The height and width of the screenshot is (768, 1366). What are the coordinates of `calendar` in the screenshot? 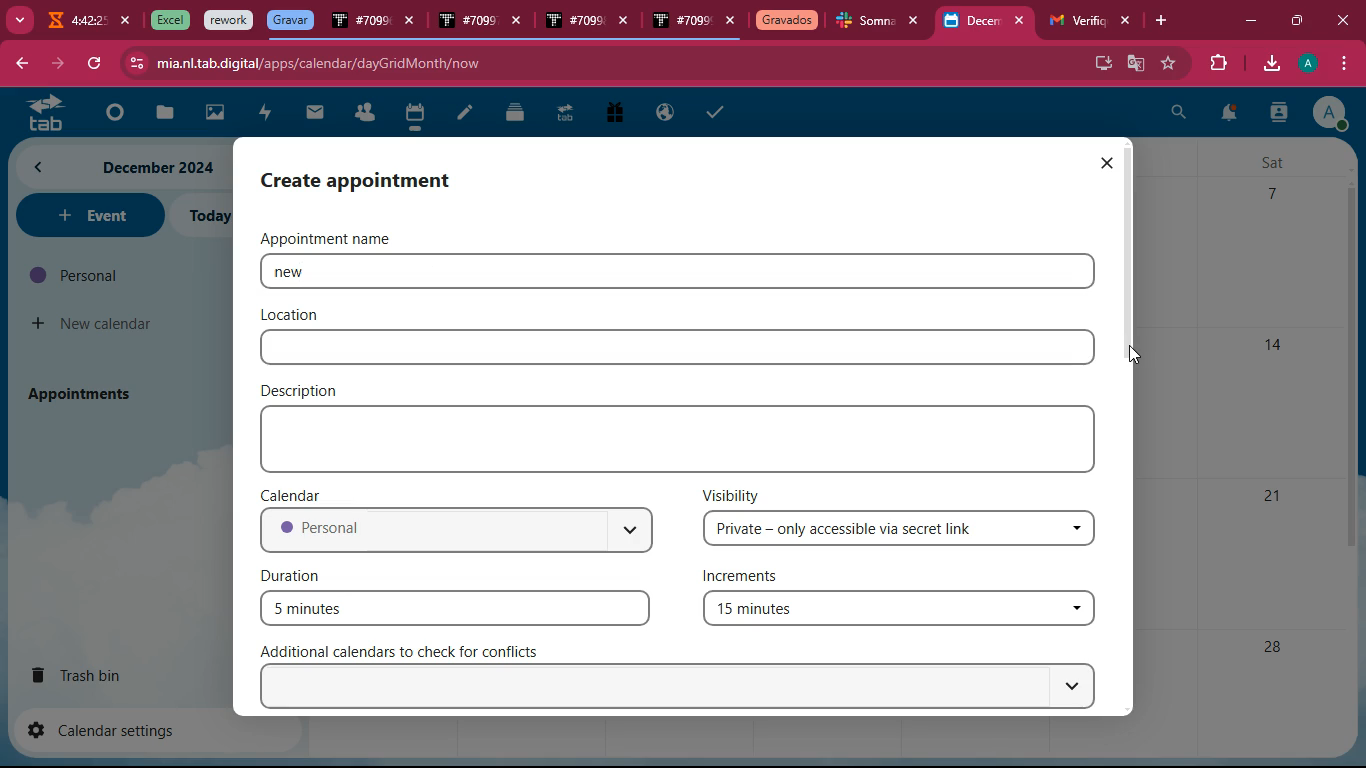 It's located at (296, 494).